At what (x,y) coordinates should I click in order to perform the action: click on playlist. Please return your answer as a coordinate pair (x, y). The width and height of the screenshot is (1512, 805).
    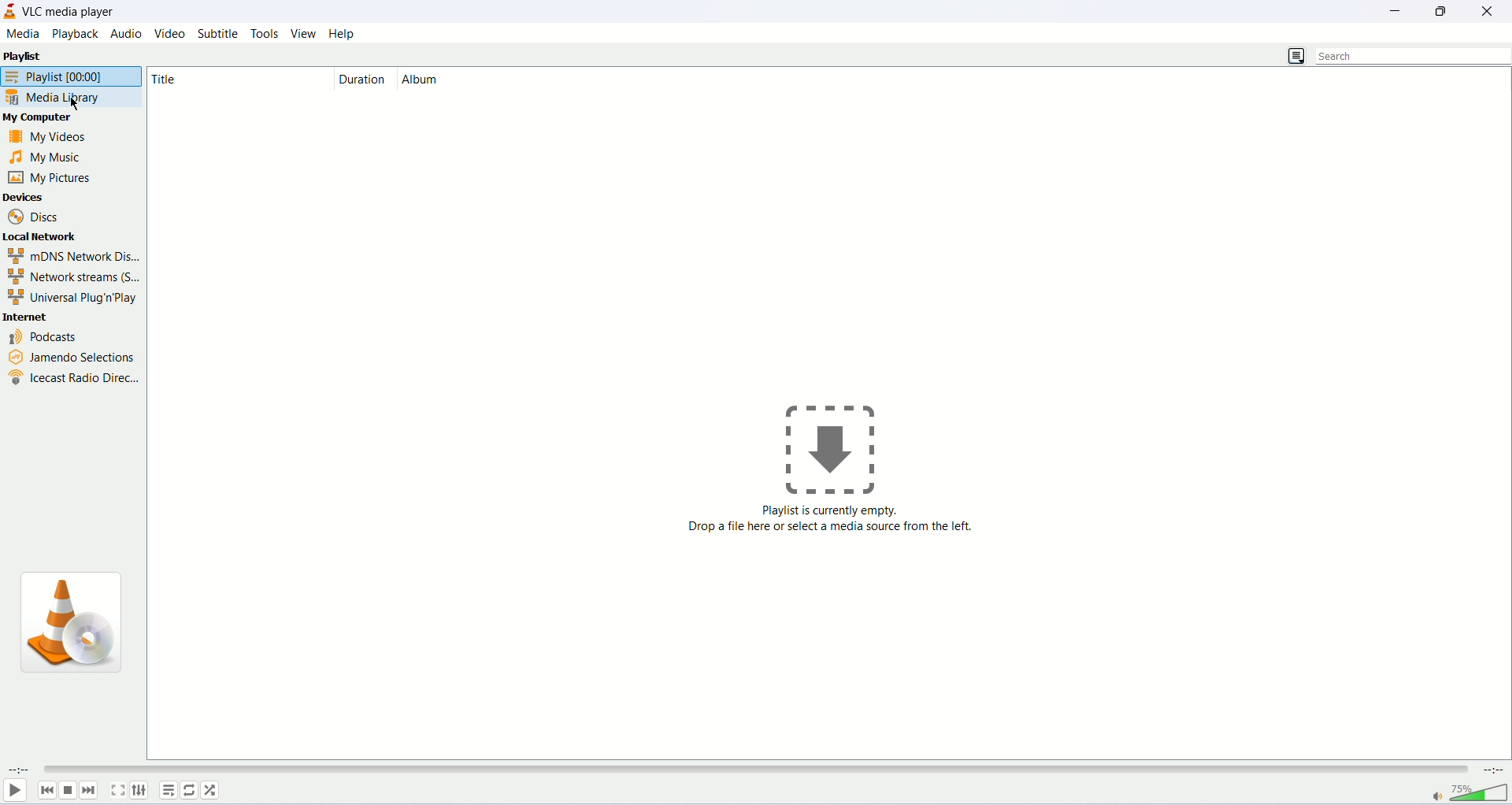
    Looking at the image, I should click on (70, 76).